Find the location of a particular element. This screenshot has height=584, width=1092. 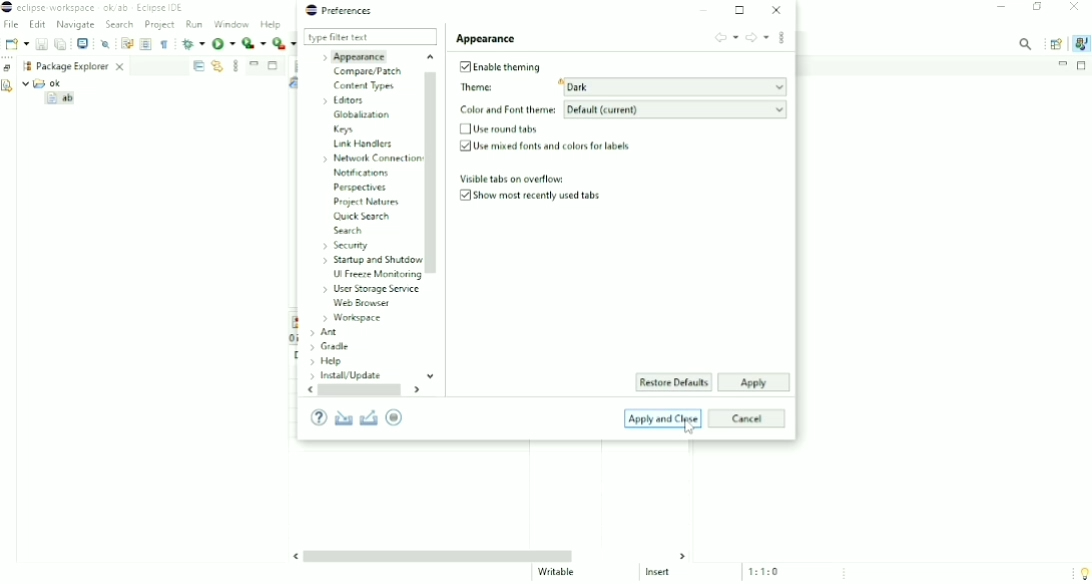

Run is located at coordinates (195, 24).